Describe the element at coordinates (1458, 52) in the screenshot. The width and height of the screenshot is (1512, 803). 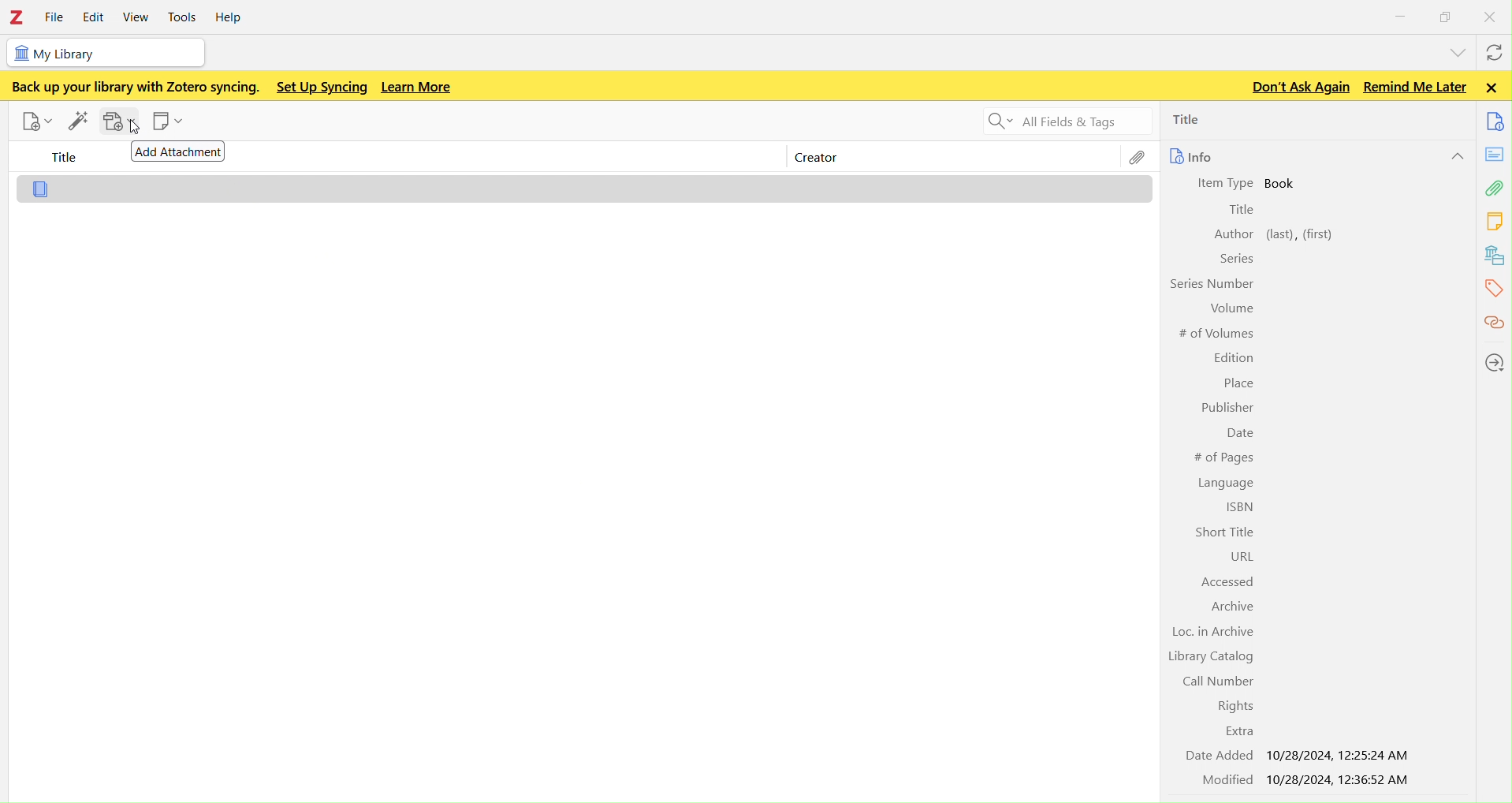
I see `list all tabs` at that location.